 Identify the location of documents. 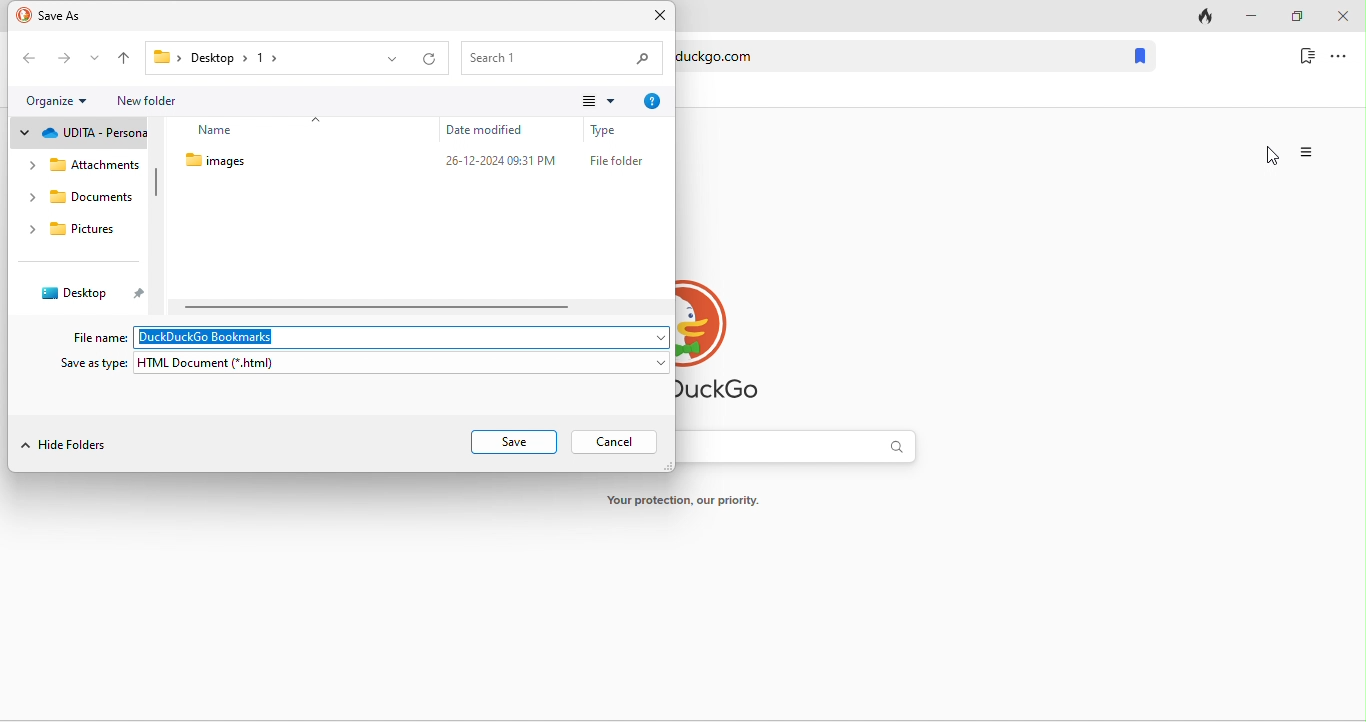
(79, 198).